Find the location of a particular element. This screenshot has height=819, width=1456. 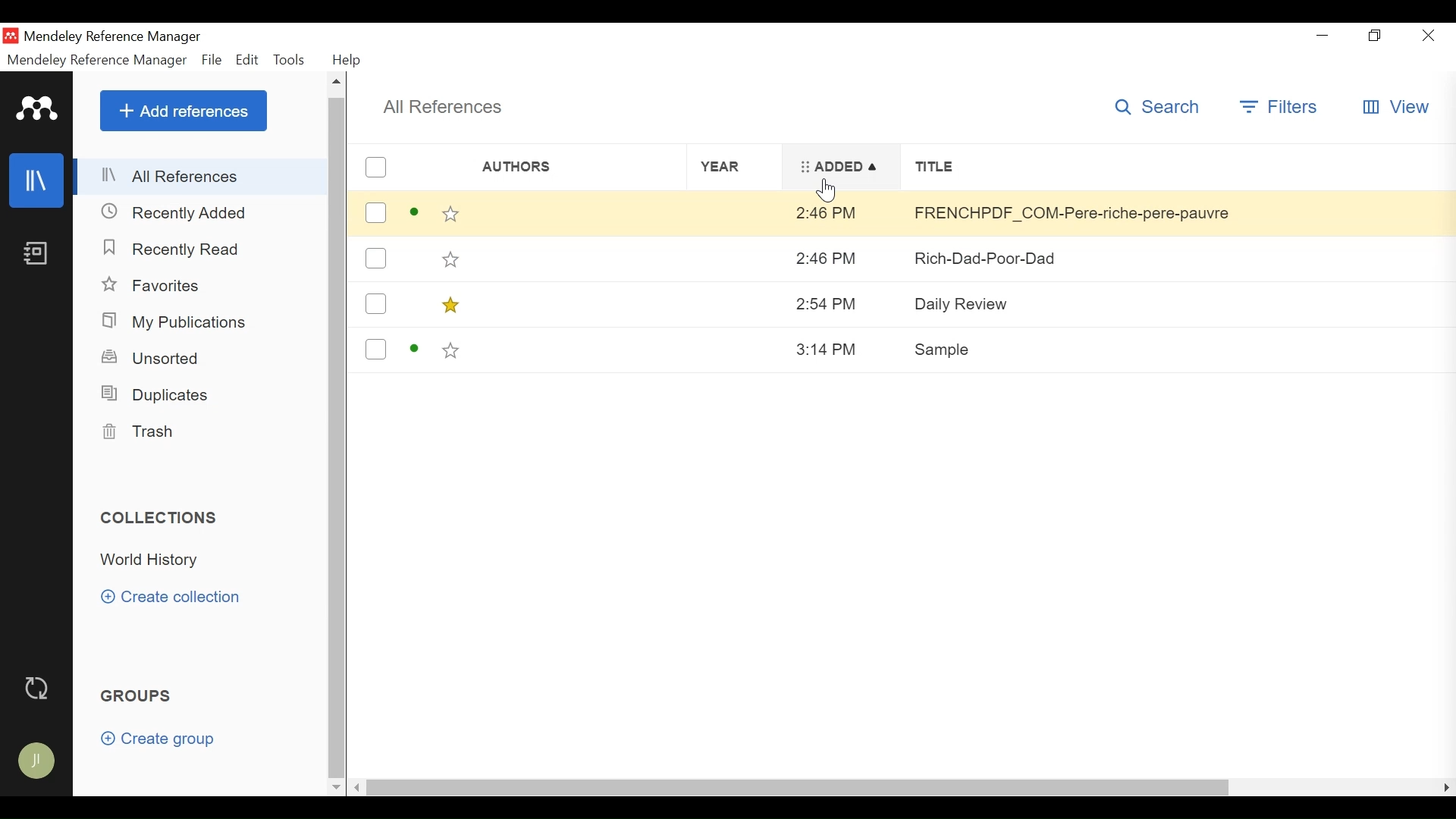

Mendeley Reference Manager is located at coordinates (98, 60).